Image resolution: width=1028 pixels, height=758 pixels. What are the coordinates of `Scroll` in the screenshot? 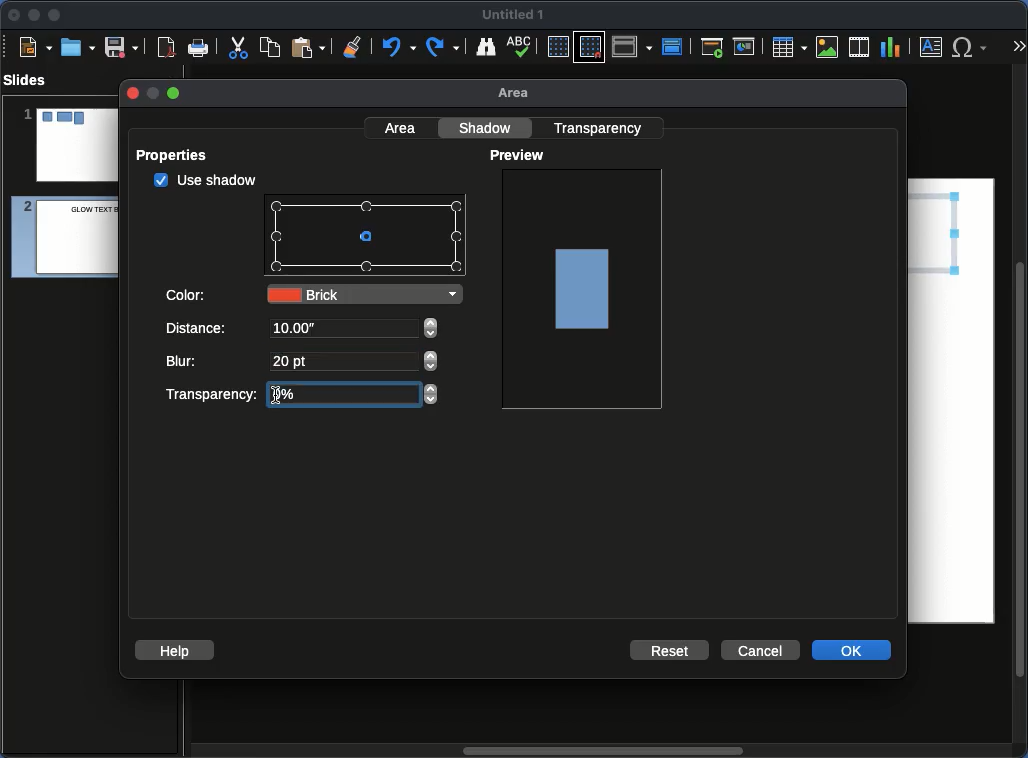 It's located at (1022, 413).